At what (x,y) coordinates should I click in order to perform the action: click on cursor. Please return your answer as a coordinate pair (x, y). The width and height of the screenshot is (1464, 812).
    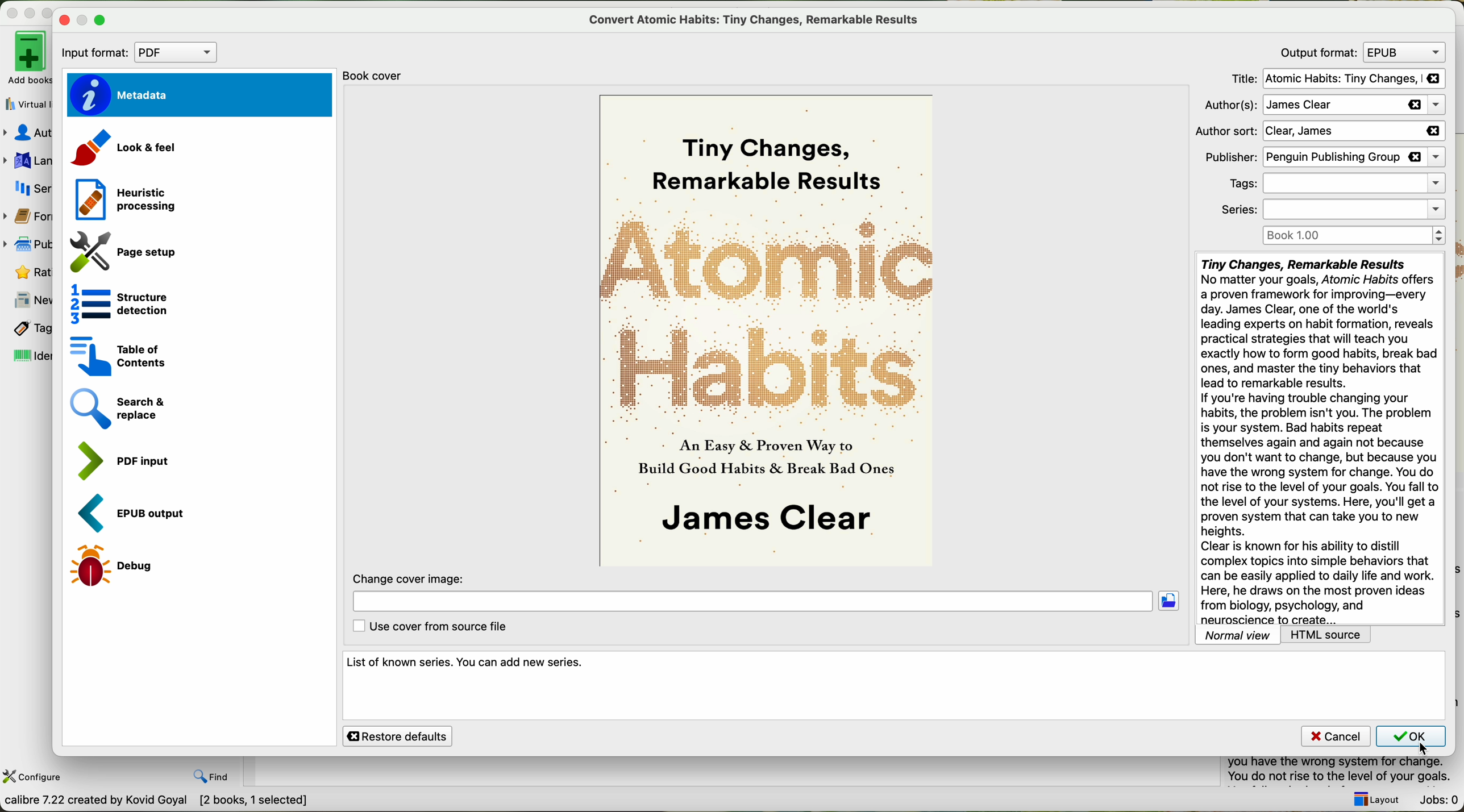
    Looking at the image, I should click on (1421, 748).